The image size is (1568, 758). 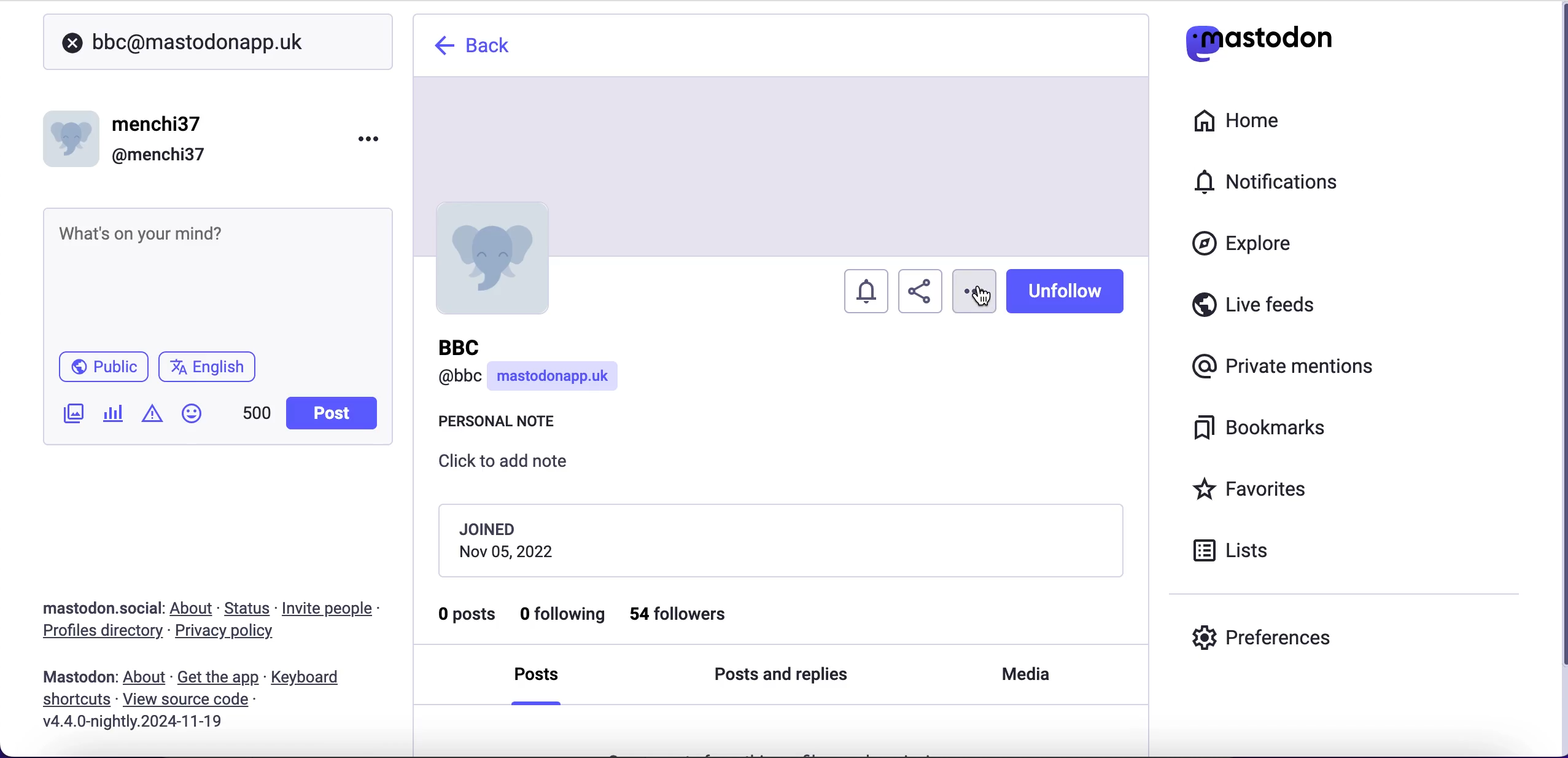 I want to click on share, so click(x=920, y=294).